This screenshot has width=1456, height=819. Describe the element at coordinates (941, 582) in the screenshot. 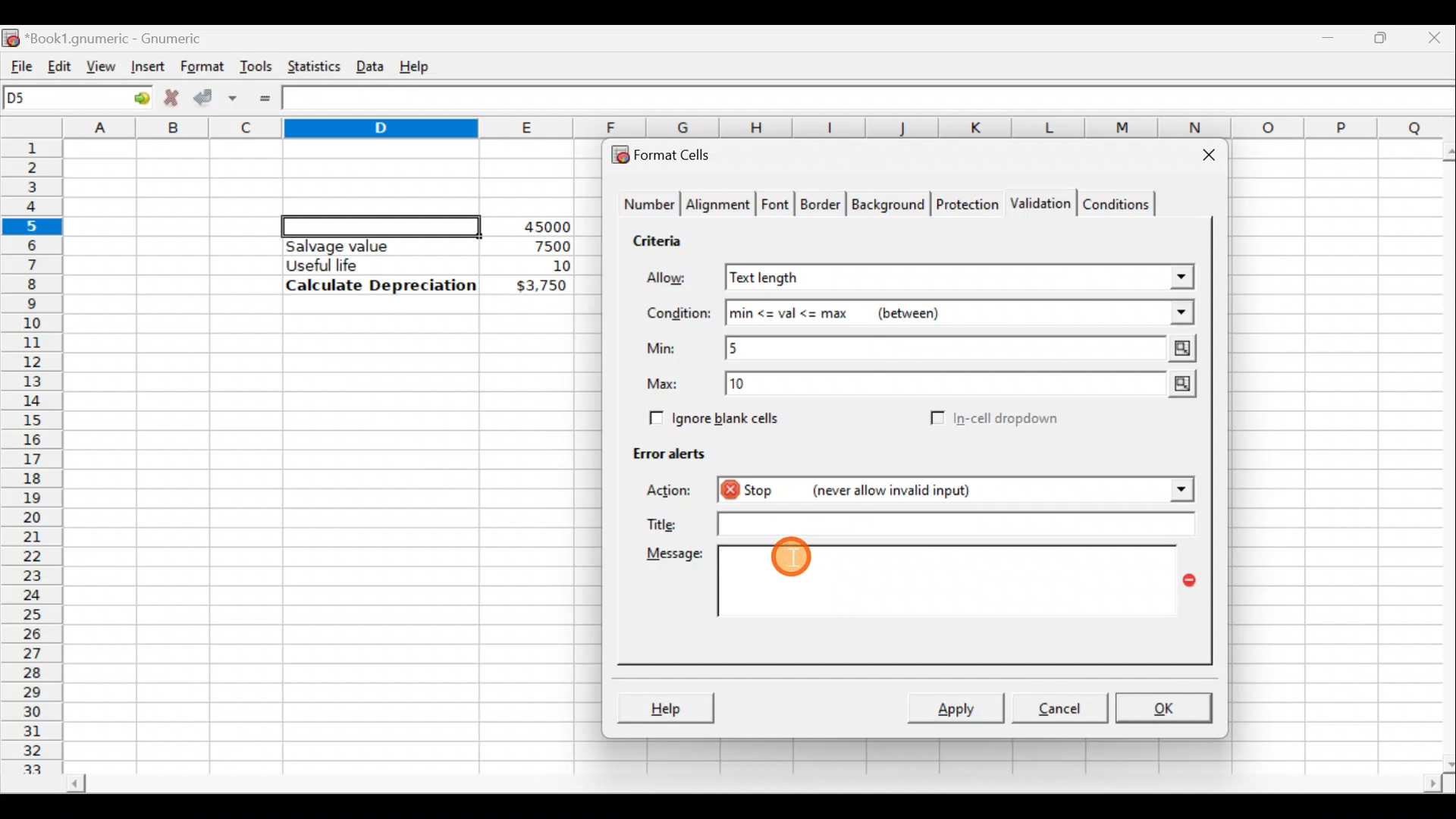

I see `Message` at that location.